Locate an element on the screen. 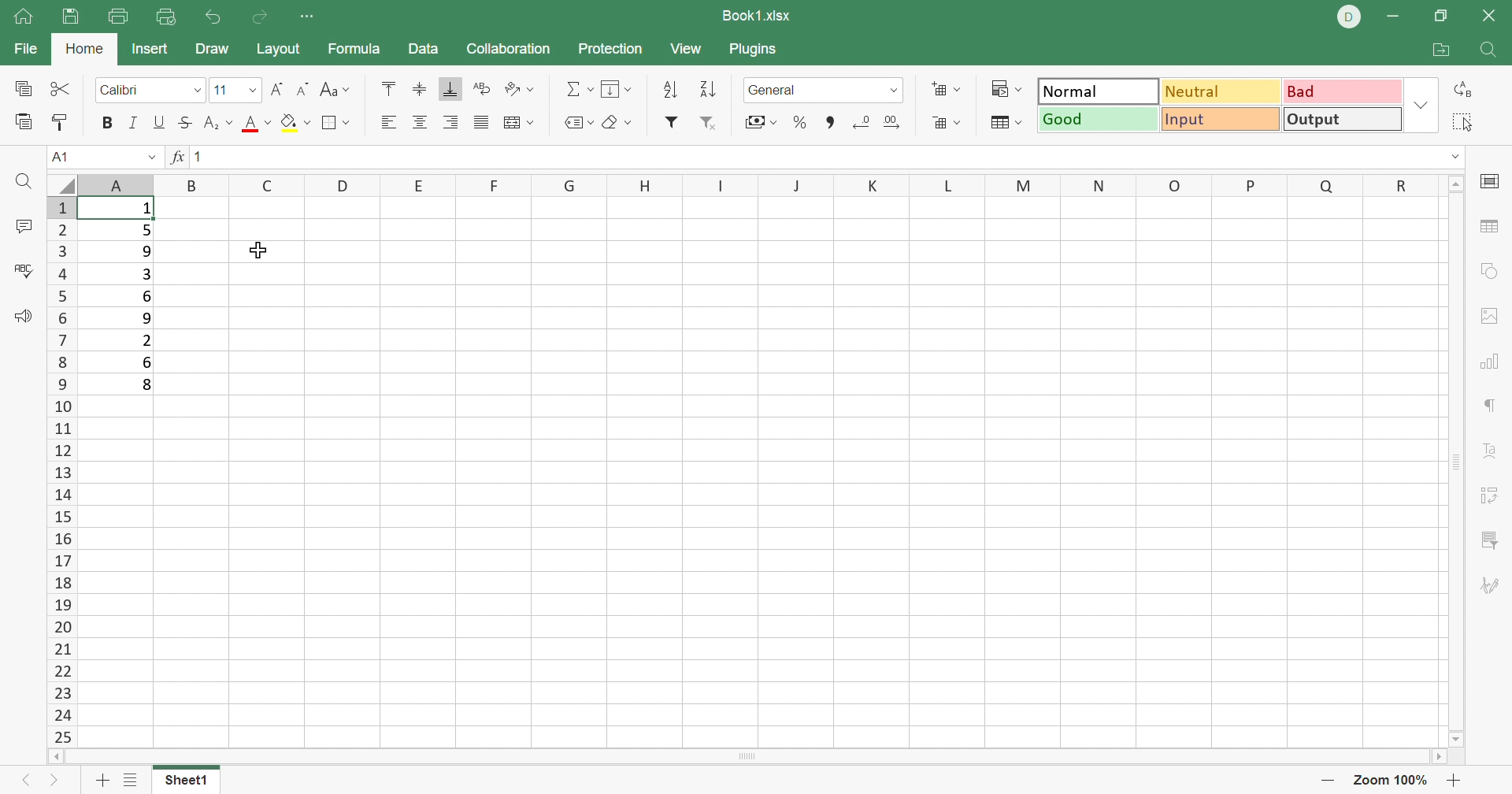  Scroll Up is located at coordinates (1454, 184).